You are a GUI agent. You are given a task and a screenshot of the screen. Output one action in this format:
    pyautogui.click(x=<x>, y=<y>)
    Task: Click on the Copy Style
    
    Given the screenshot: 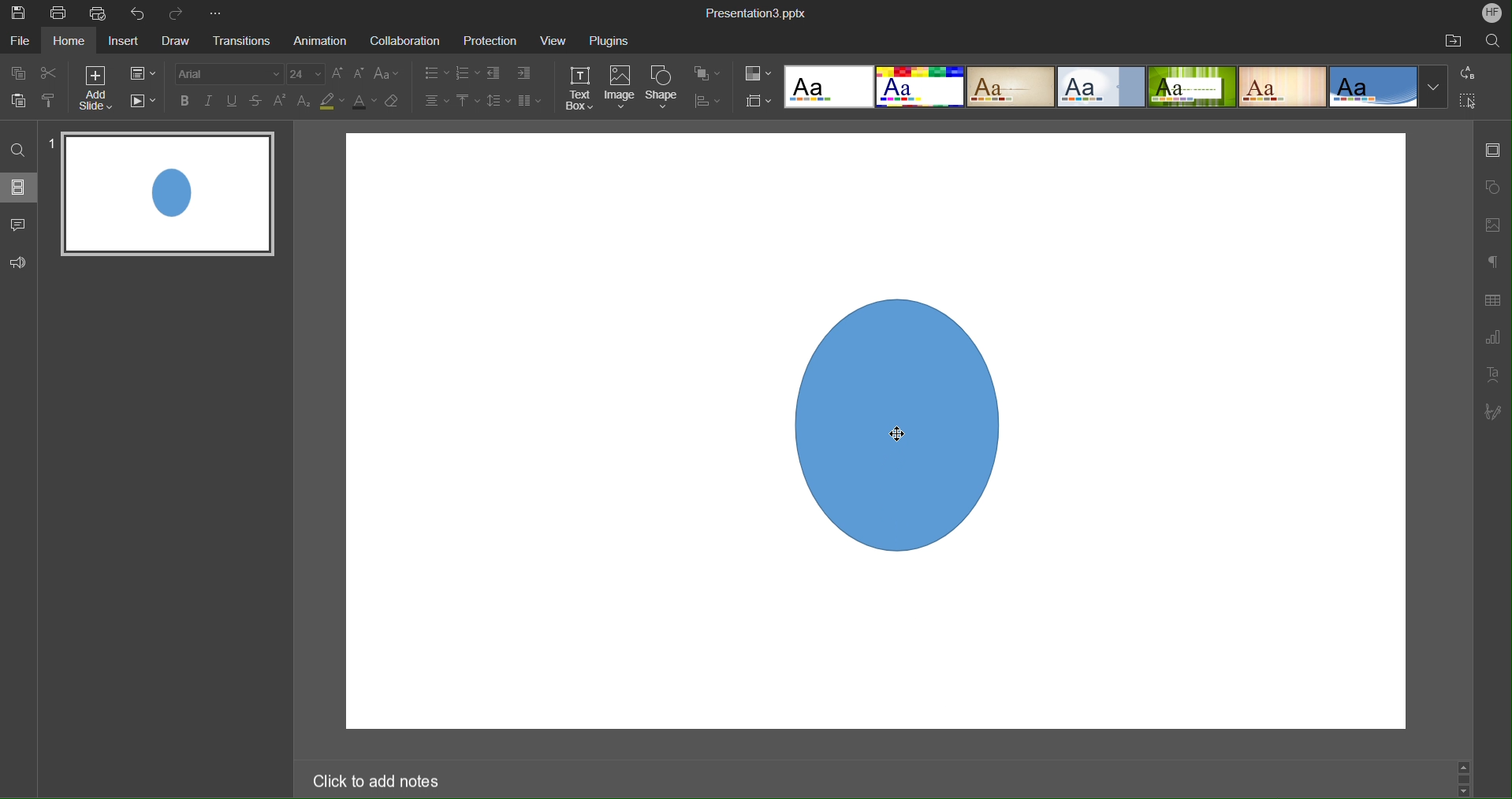 What is the action you would take?
    pyautogui.click(x=50, y=101)
    